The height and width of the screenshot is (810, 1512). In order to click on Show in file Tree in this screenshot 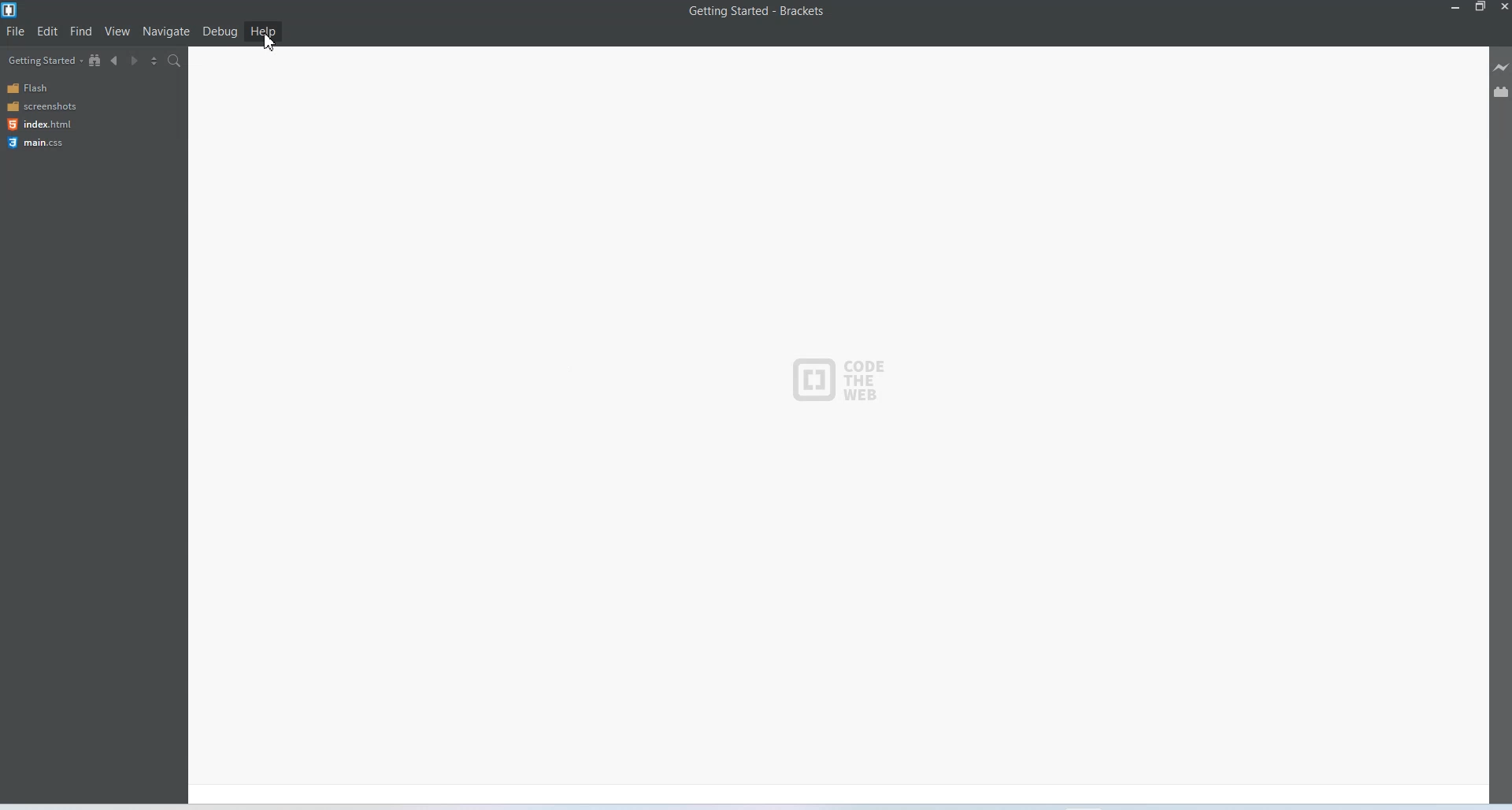, I will do `click(96, 61)`.